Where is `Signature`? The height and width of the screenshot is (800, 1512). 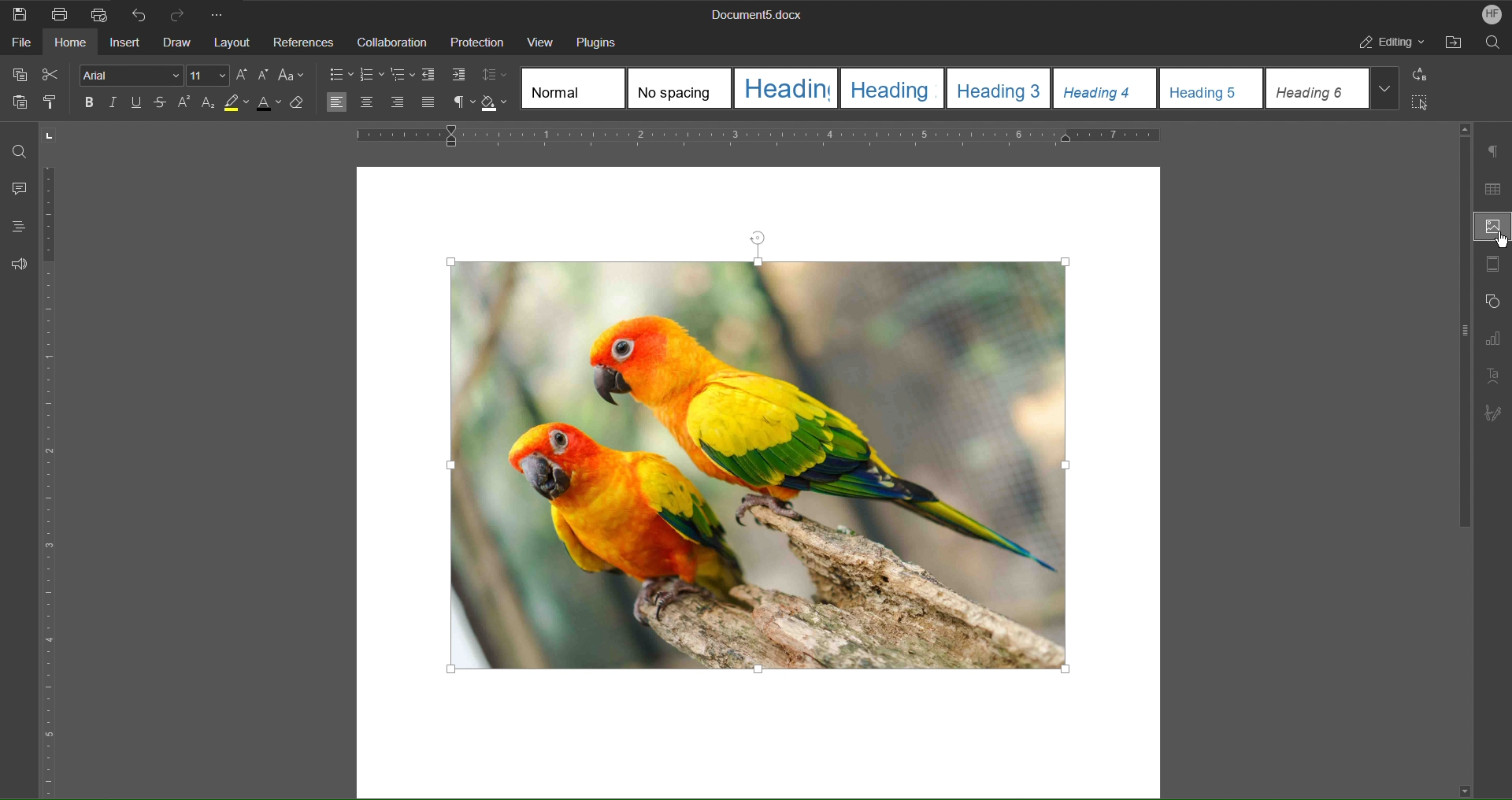
Signature is located at coordinates (1493, 409).